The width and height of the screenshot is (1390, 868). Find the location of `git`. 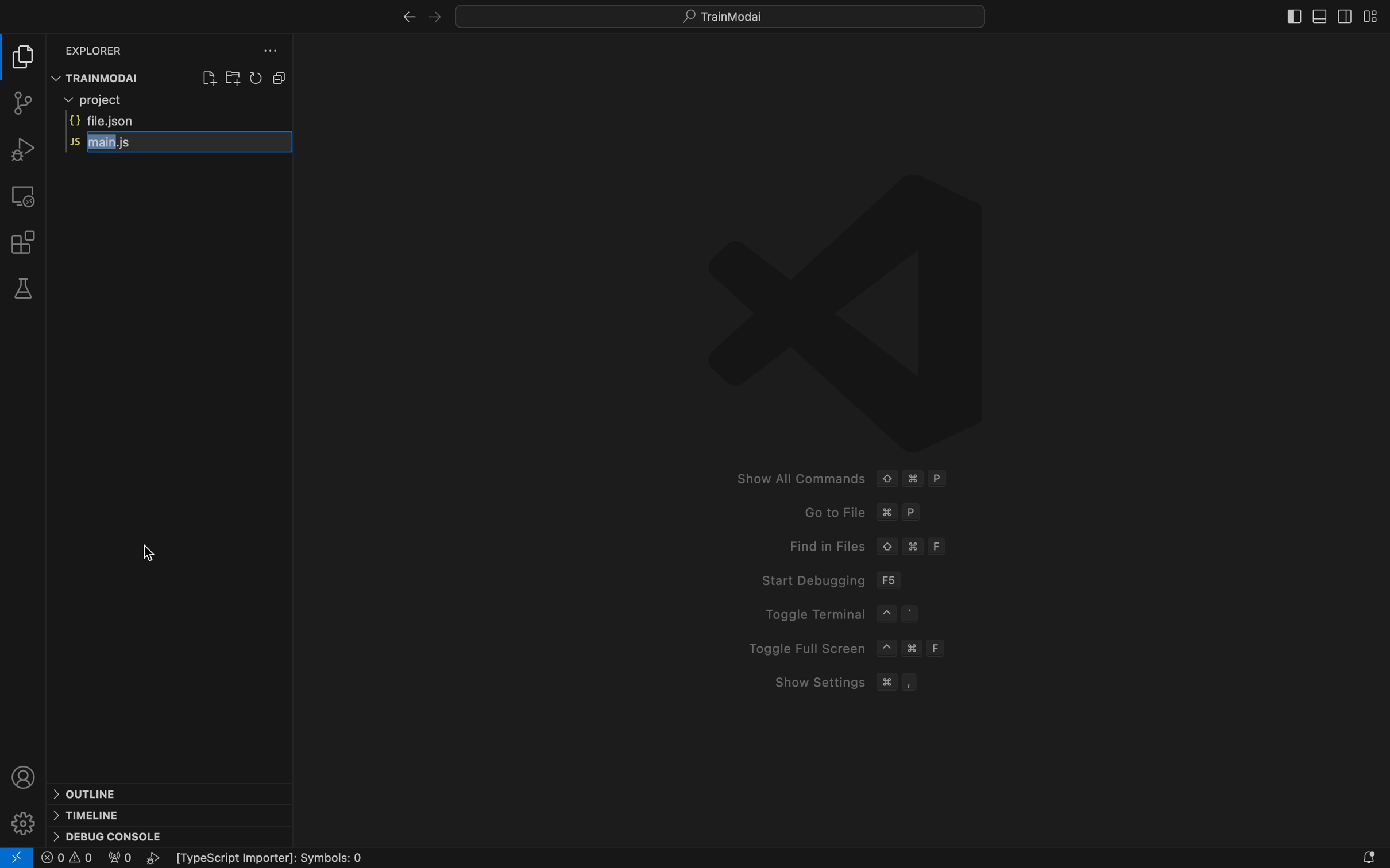

git is located at coordinates (25, 102).